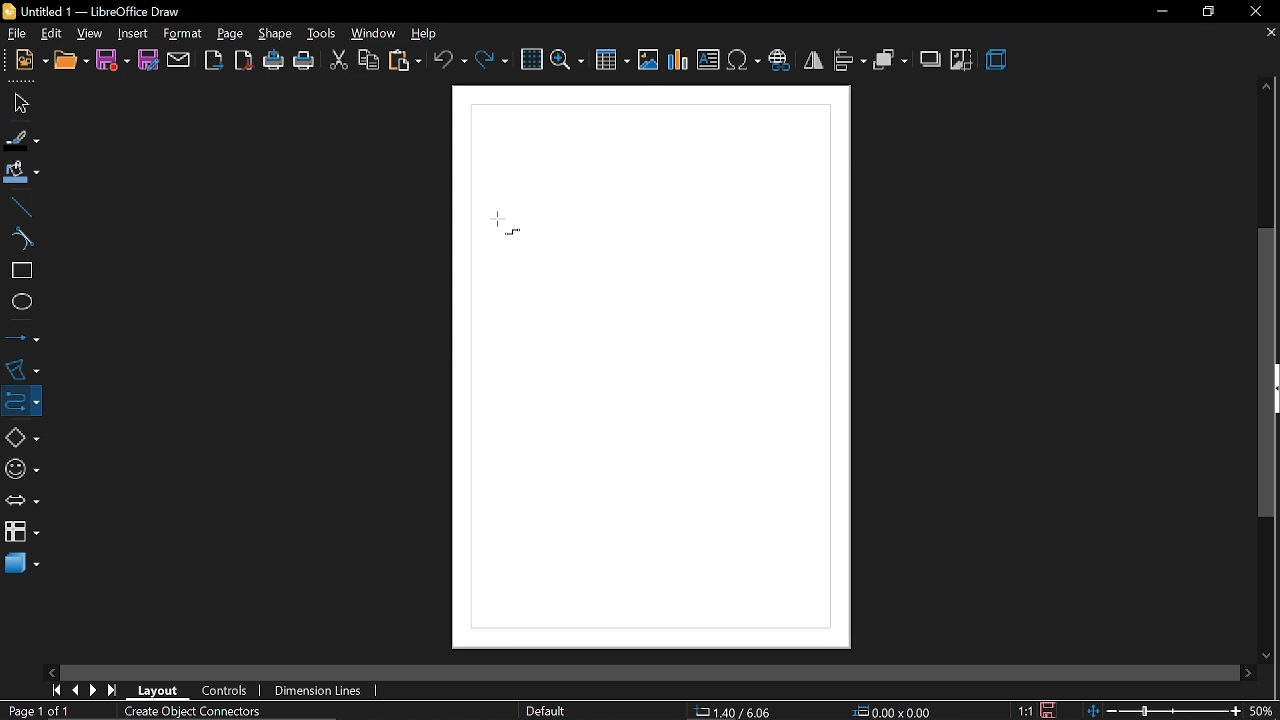  What do you see at coordinates (50, 33) in the screenshot?
I see `edit` at bounding box center [50, 33].